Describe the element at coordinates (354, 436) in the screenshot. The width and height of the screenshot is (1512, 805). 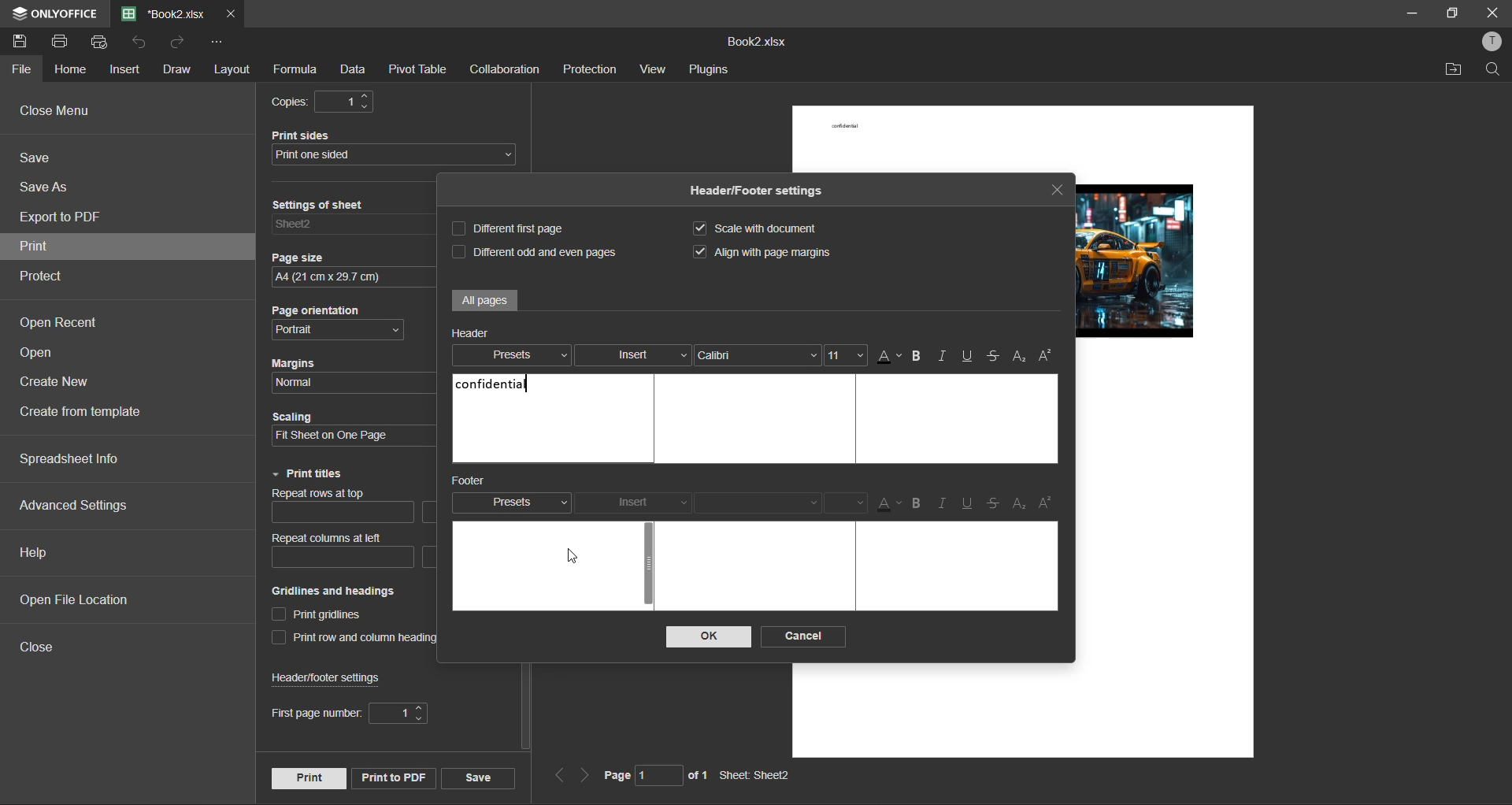
I see `scaling` at that location.